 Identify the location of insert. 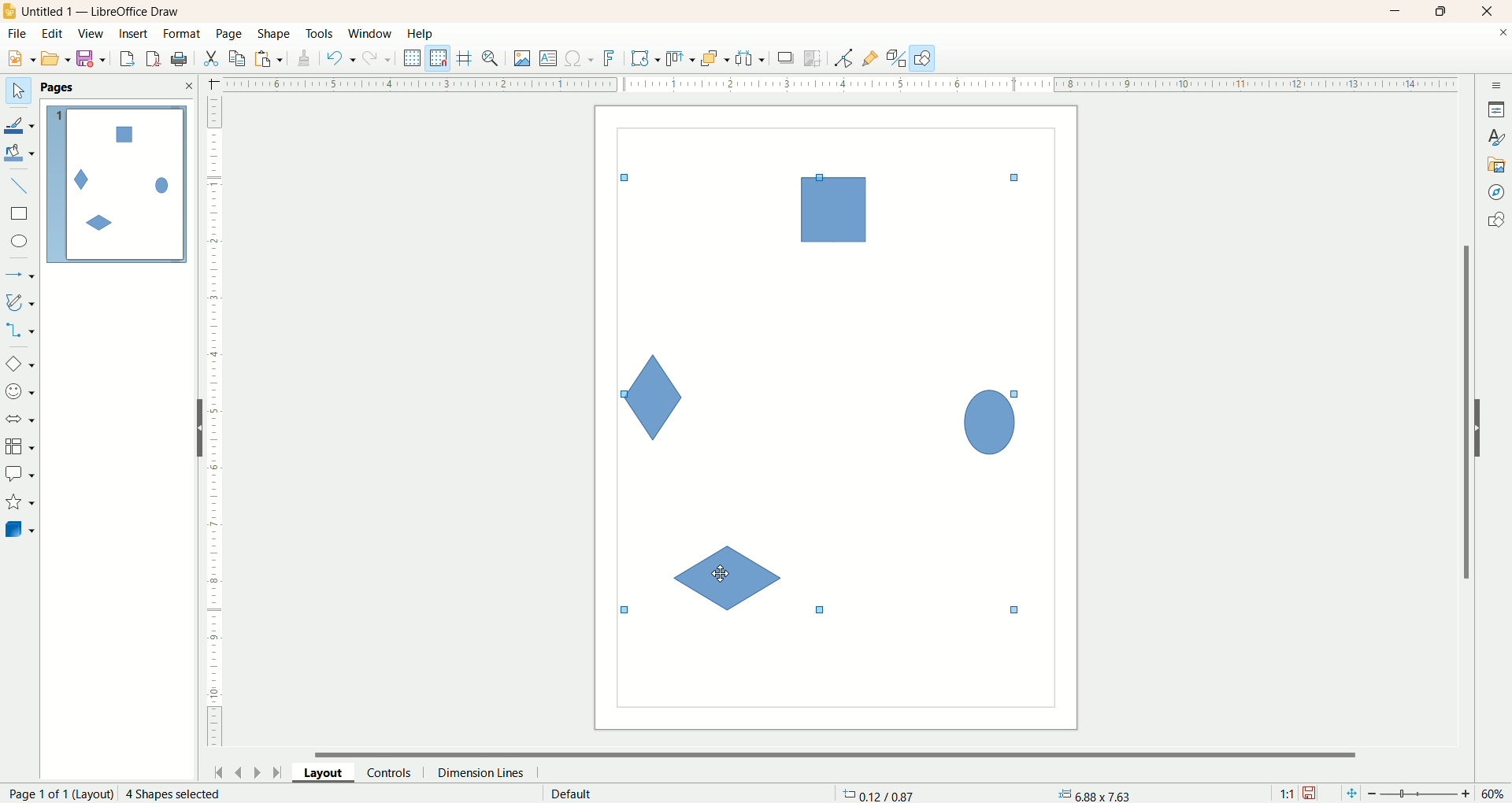
(135, 34).